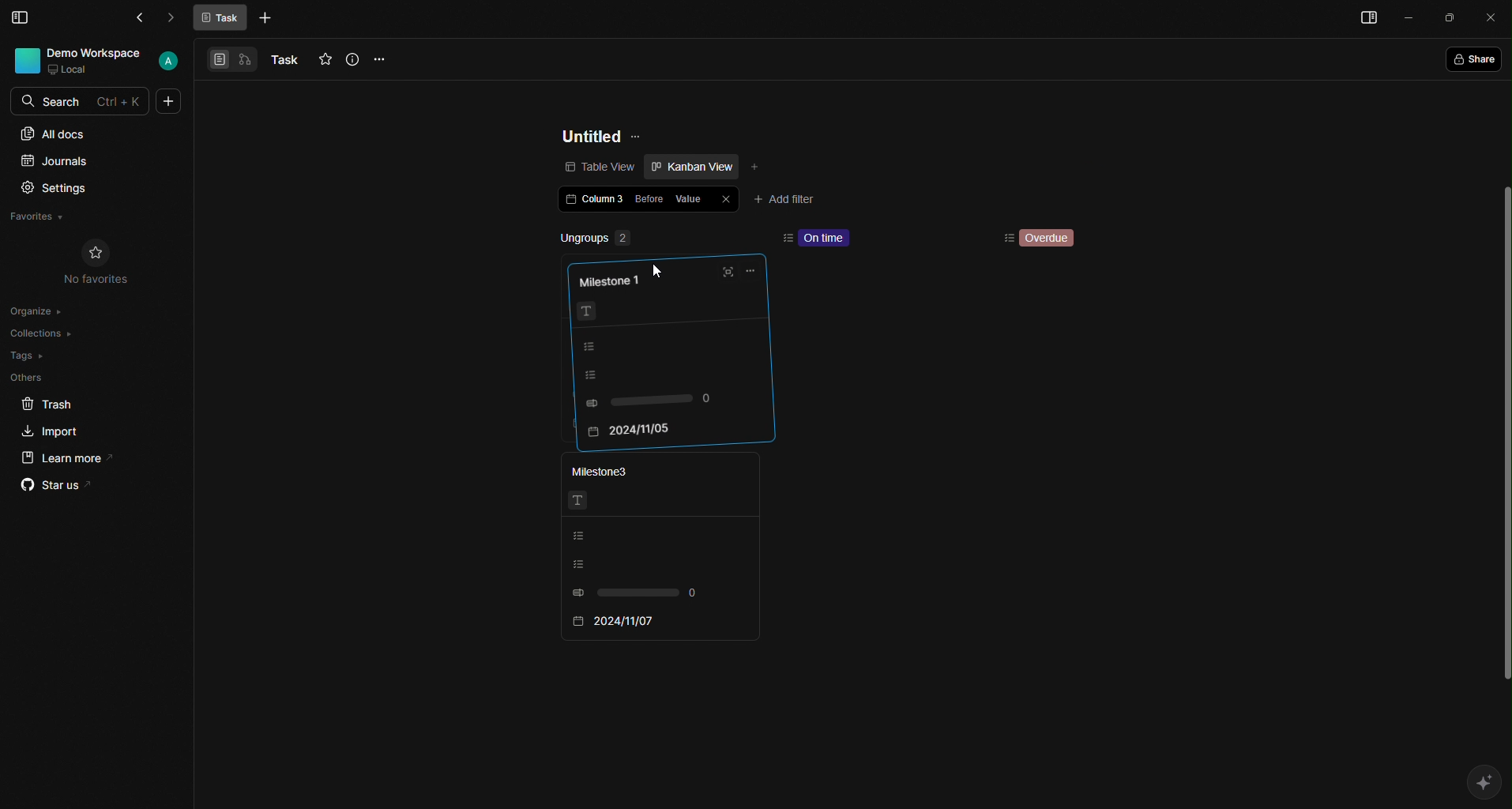 This screenshot has width=1512, height=809. I want to click on User, so click(96, 61).